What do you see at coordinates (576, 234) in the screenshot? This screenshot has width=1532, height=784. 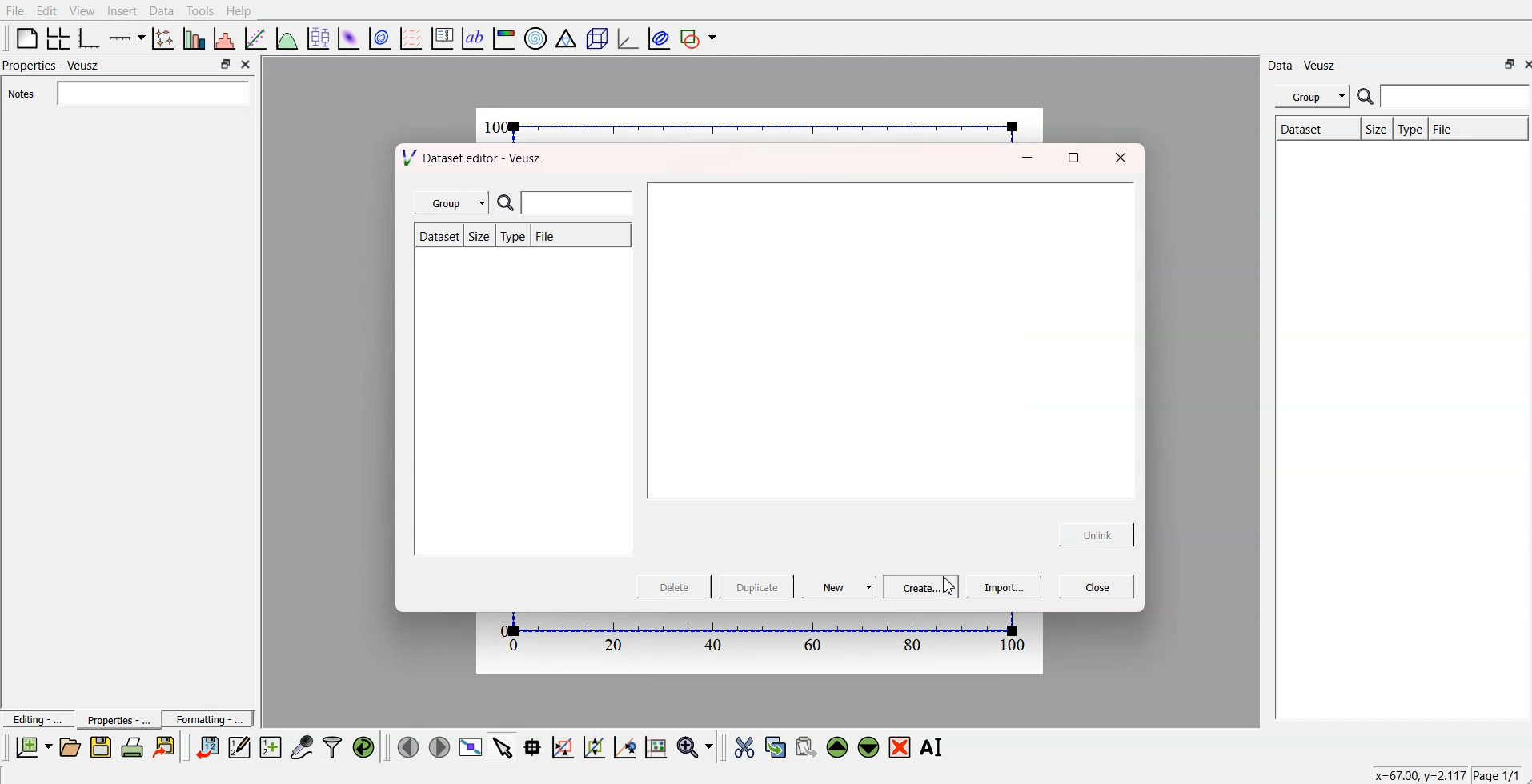 I see `File` at bounding box center [576, 234].